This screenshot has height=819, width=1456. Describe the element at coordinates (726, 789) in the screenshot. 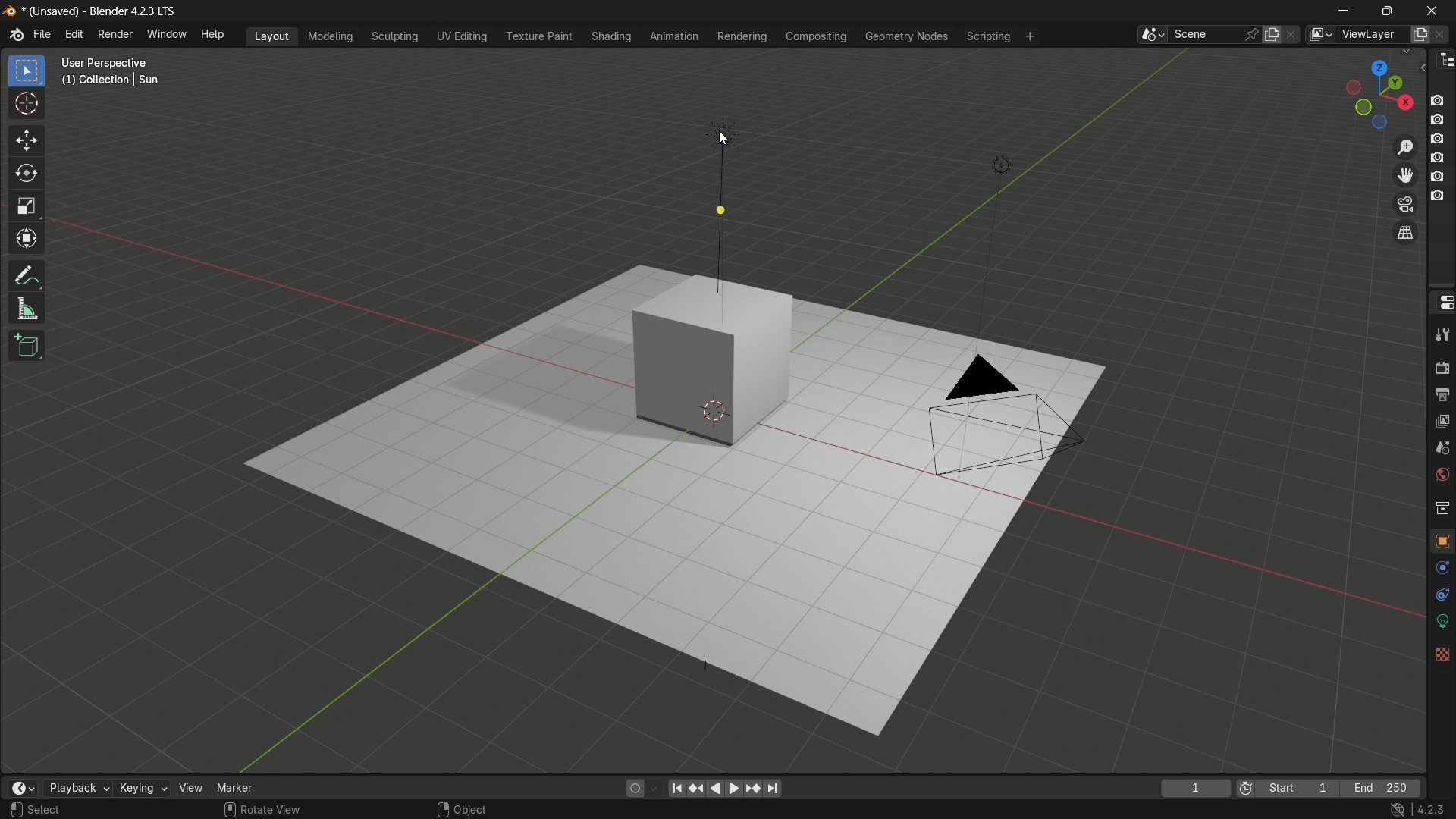

I see `play animation` at that location.